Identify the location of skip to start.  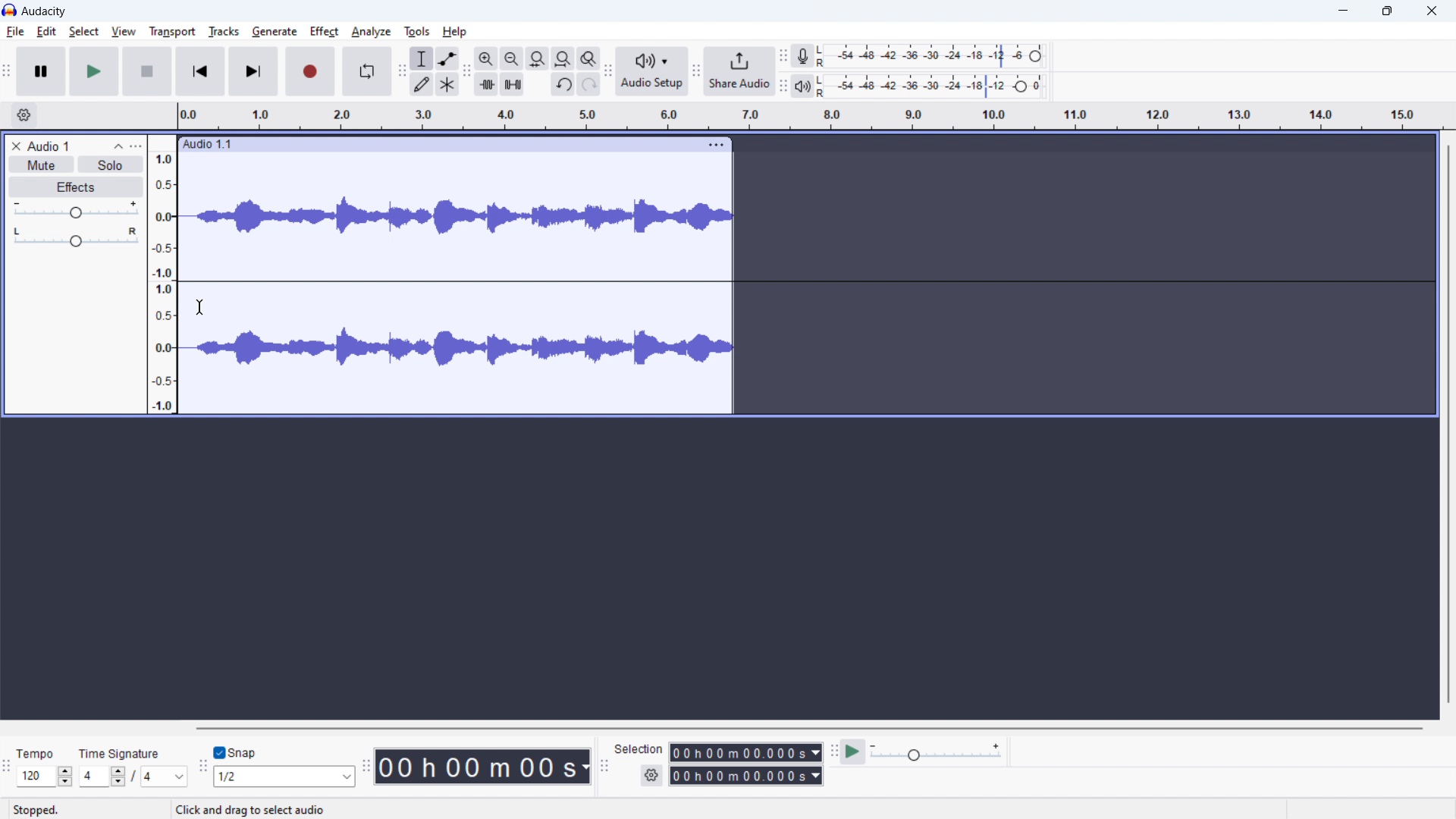
(201, 72).